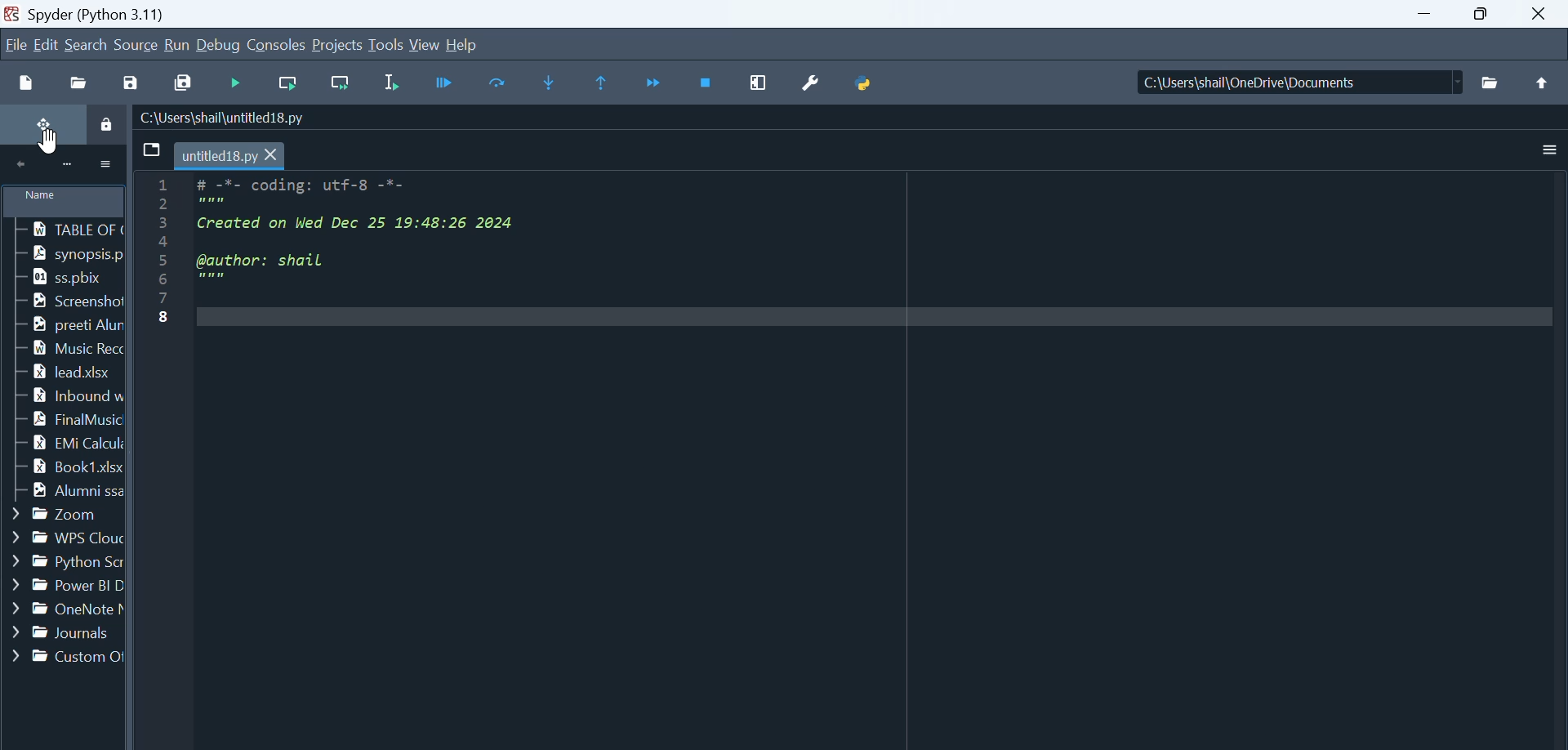 Image resolution: width=1568 pixels, height=750 pixels. Describe the element at coordinates (41, 125) in the screenshot. I see `unlock position` at that location.